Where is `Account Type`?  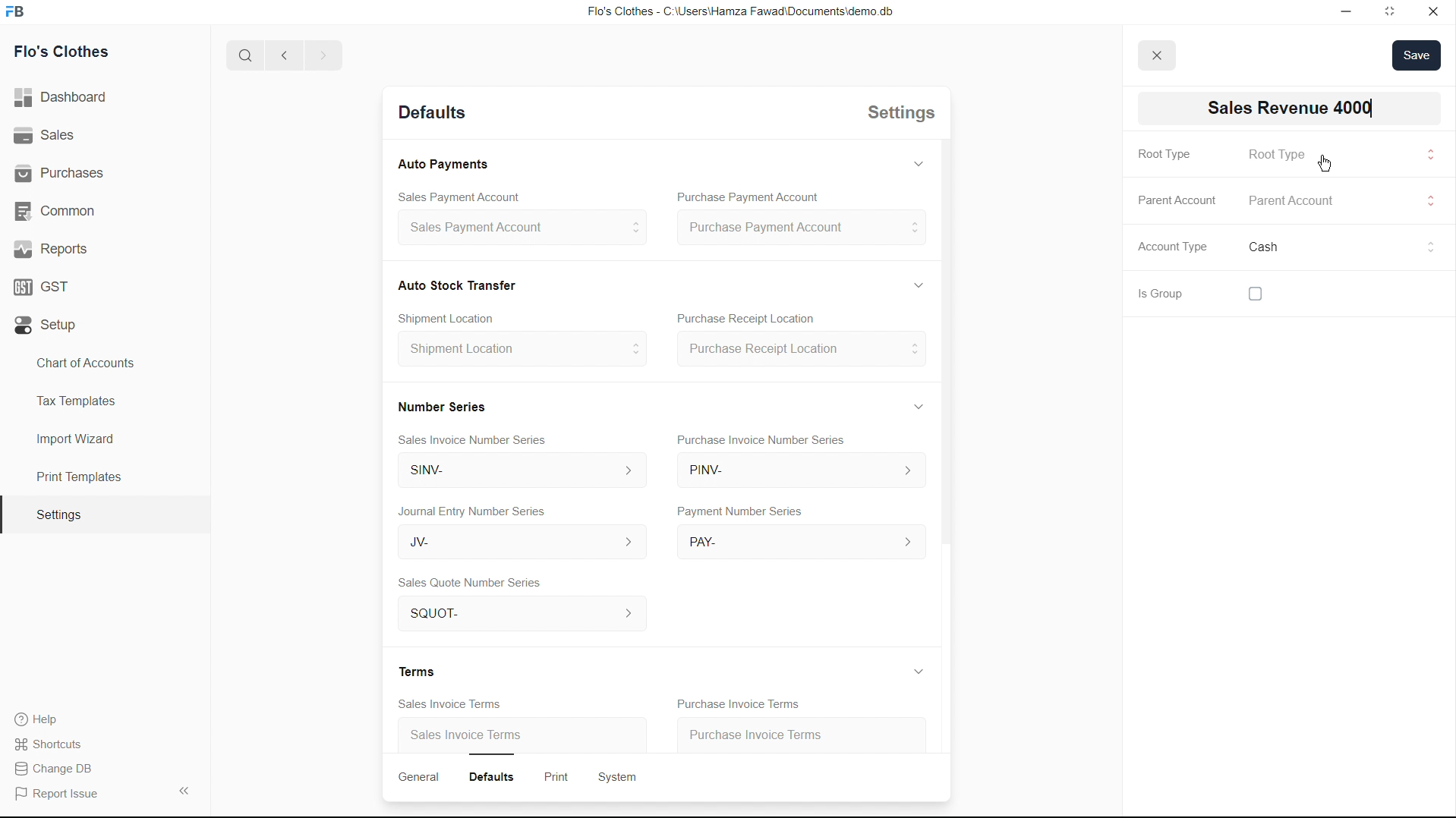 Account Type is located at coordinates (1170, 250).